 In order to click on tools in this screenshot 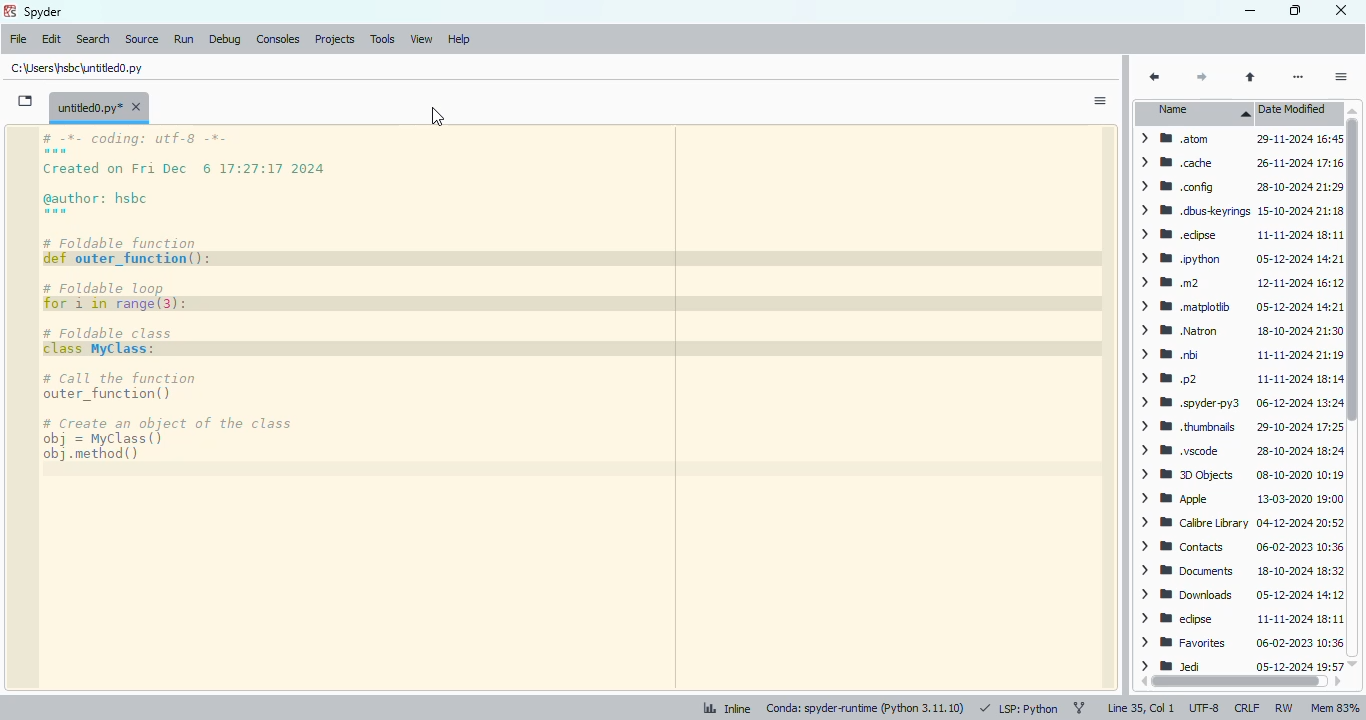, I will do `click(382, 40)`.